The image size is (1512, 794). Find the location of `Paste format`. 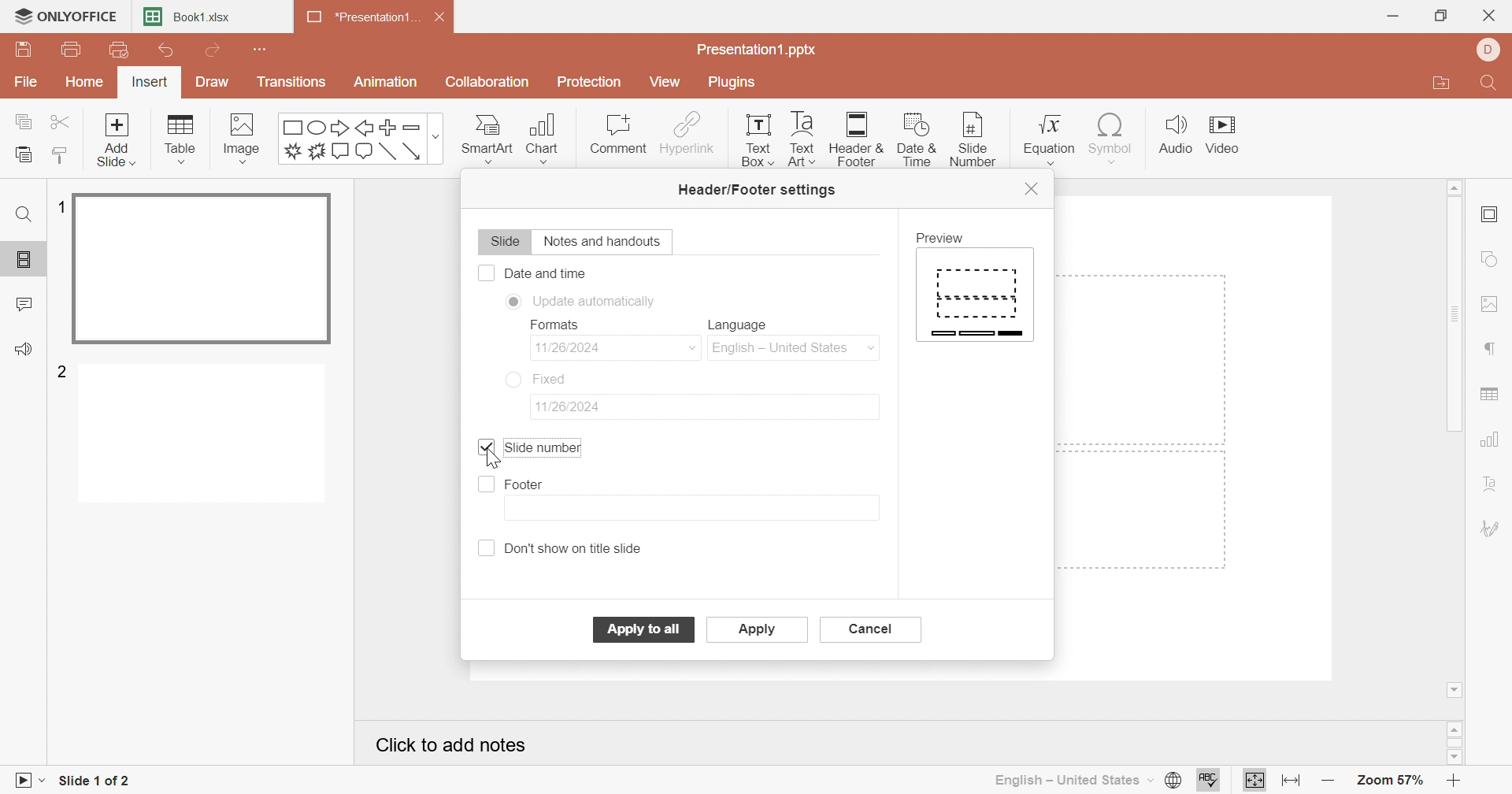

Paste format is located at coordinates (58, 154).